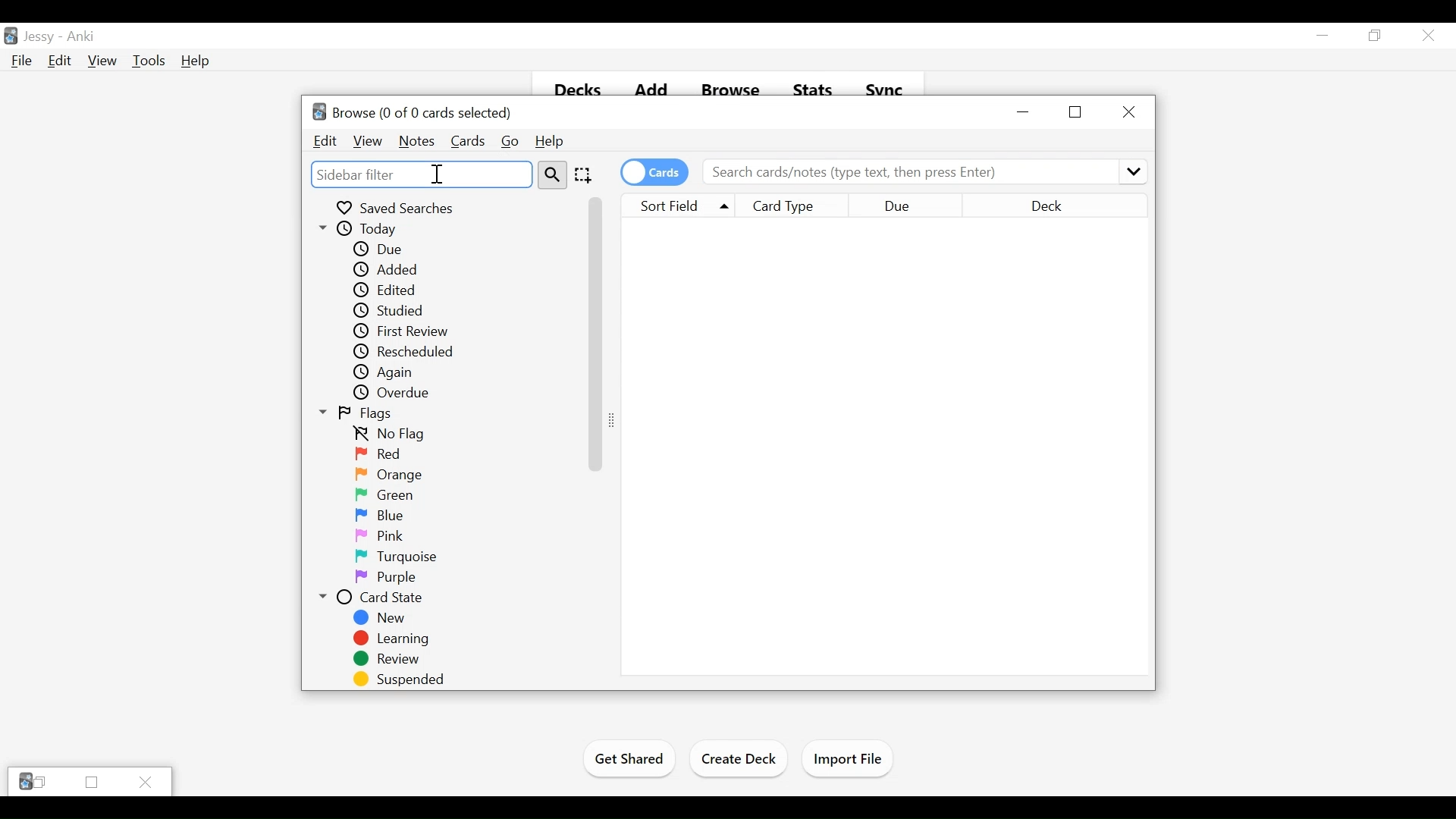 The height and width of the screenshot is (819, 1456). I want to click on Card Type, so click(795, 206).